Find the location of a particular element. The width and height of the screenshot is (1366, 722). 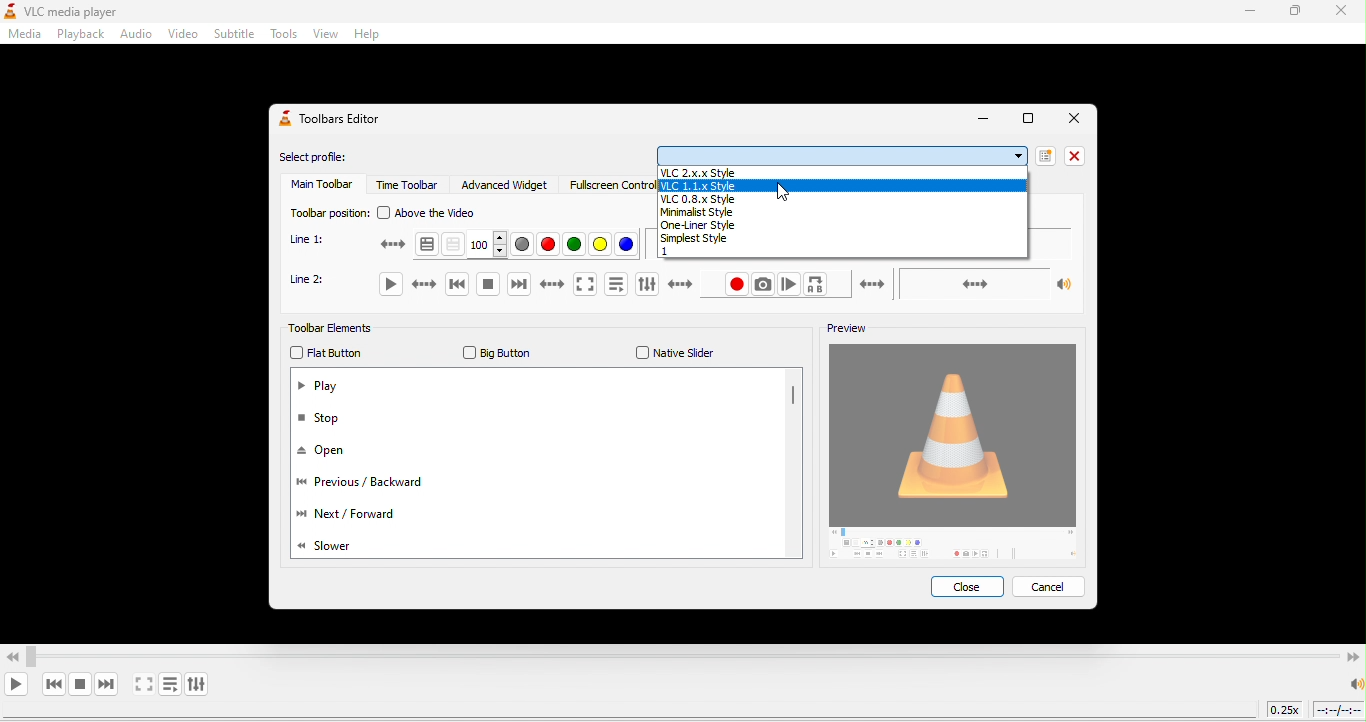

vlc2x.x.style is located at coordinates (840, 172).